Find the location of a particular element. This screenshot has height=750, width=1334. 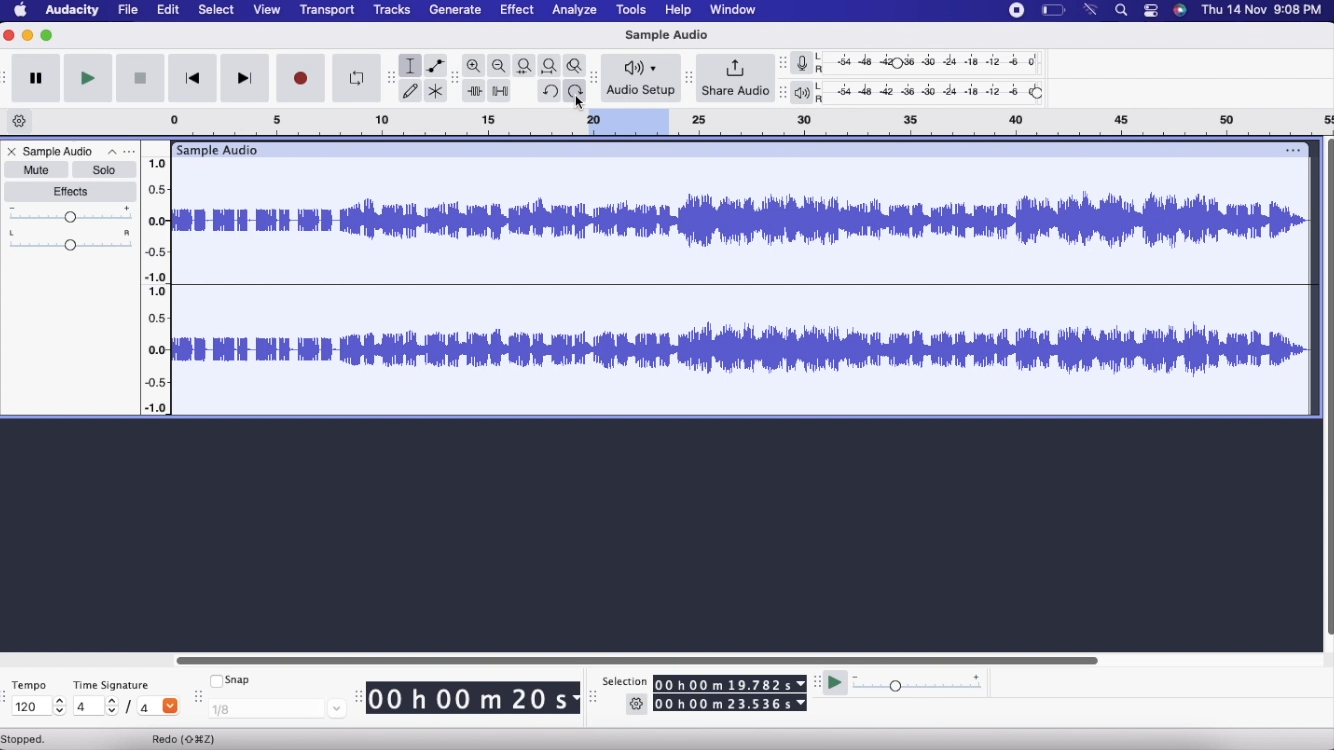

Mute is located at coordinates (37, 170).